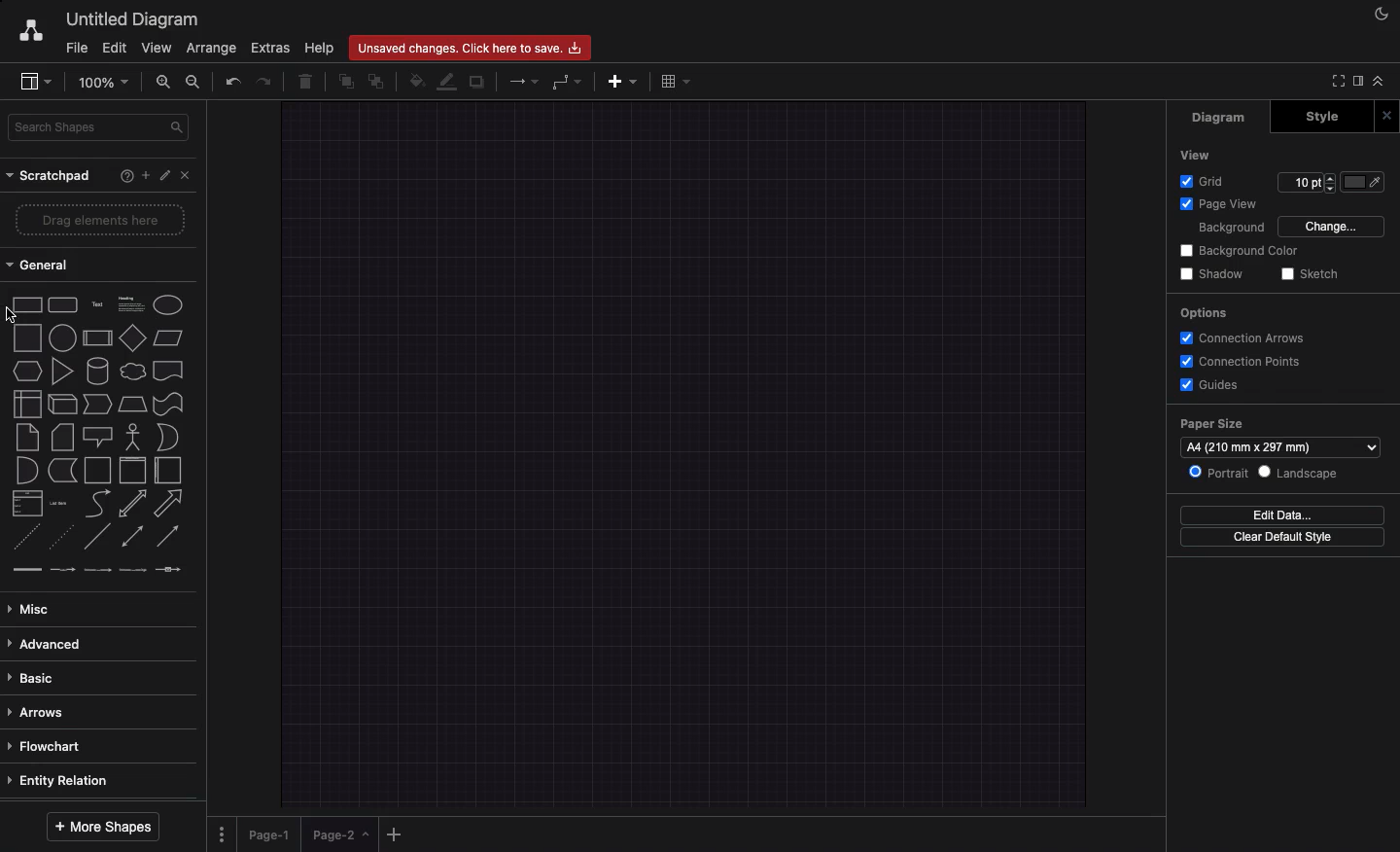 Image resolution: width=1400 pixels, height=852 pixels. I want to click on internal storage, so click(25, 403).